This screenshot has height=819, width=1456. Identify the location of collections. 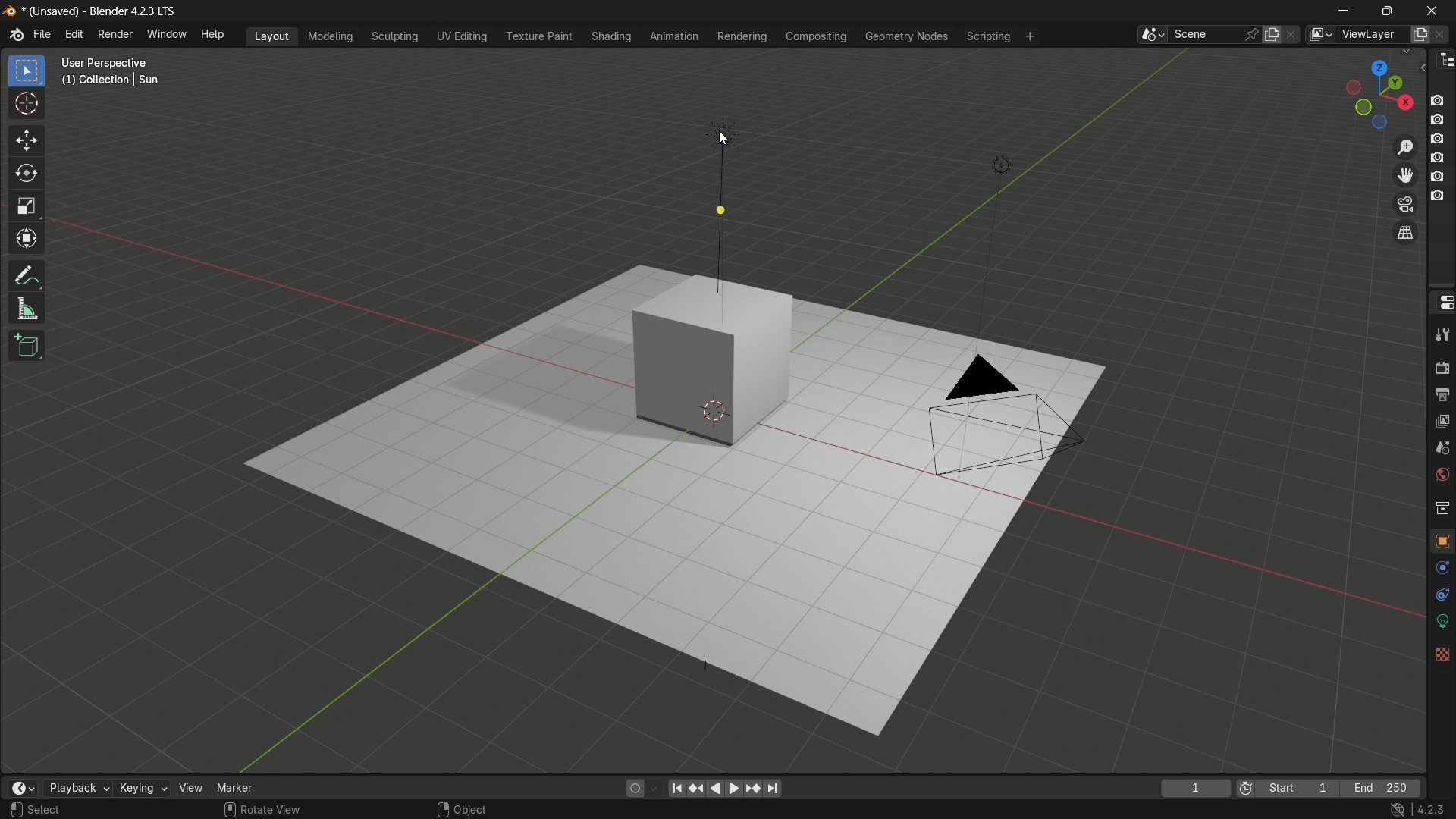
(1442, 507).